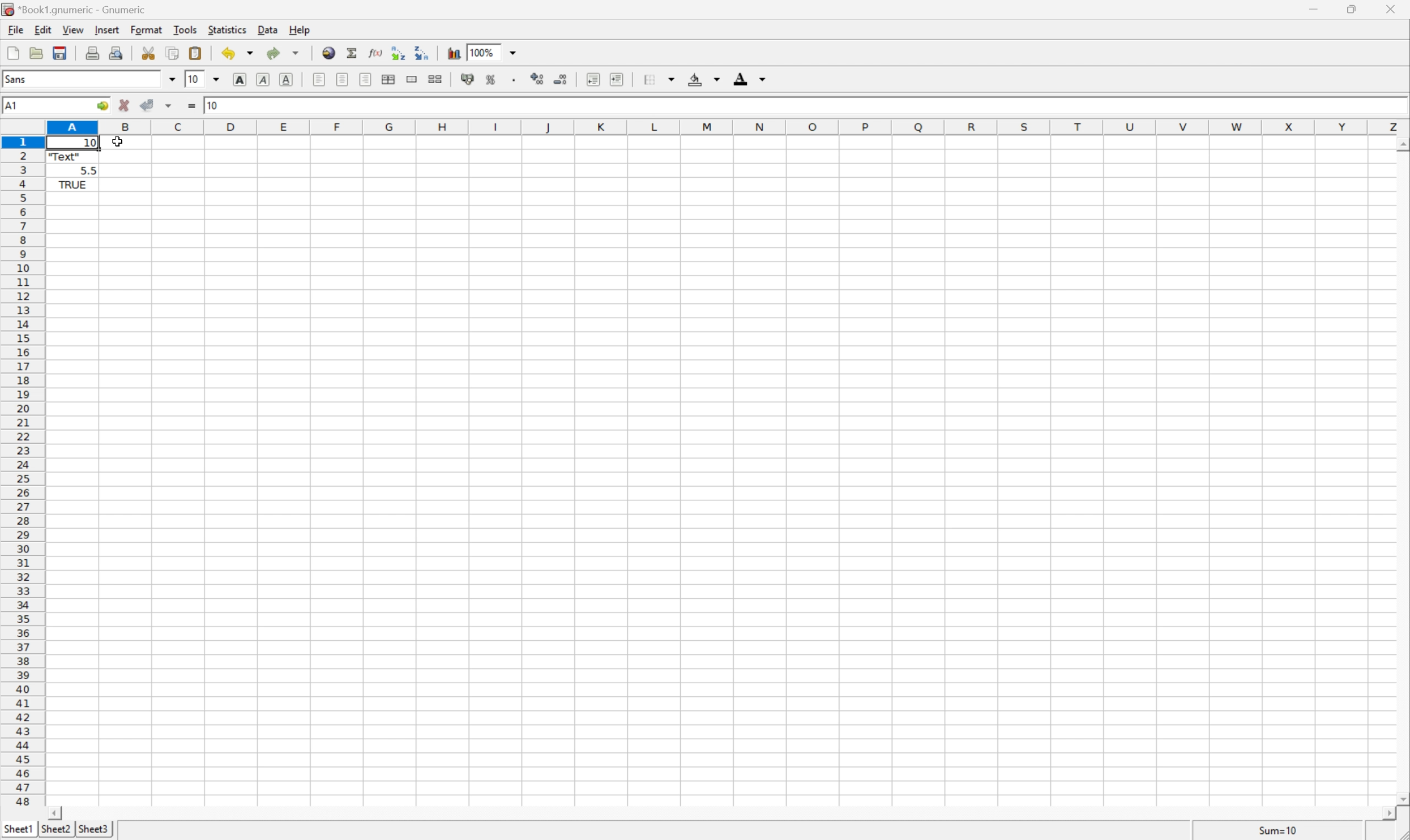 This screenshot has width=1410, height=840. I want to click on Center Horizontally, so click(343, 80).